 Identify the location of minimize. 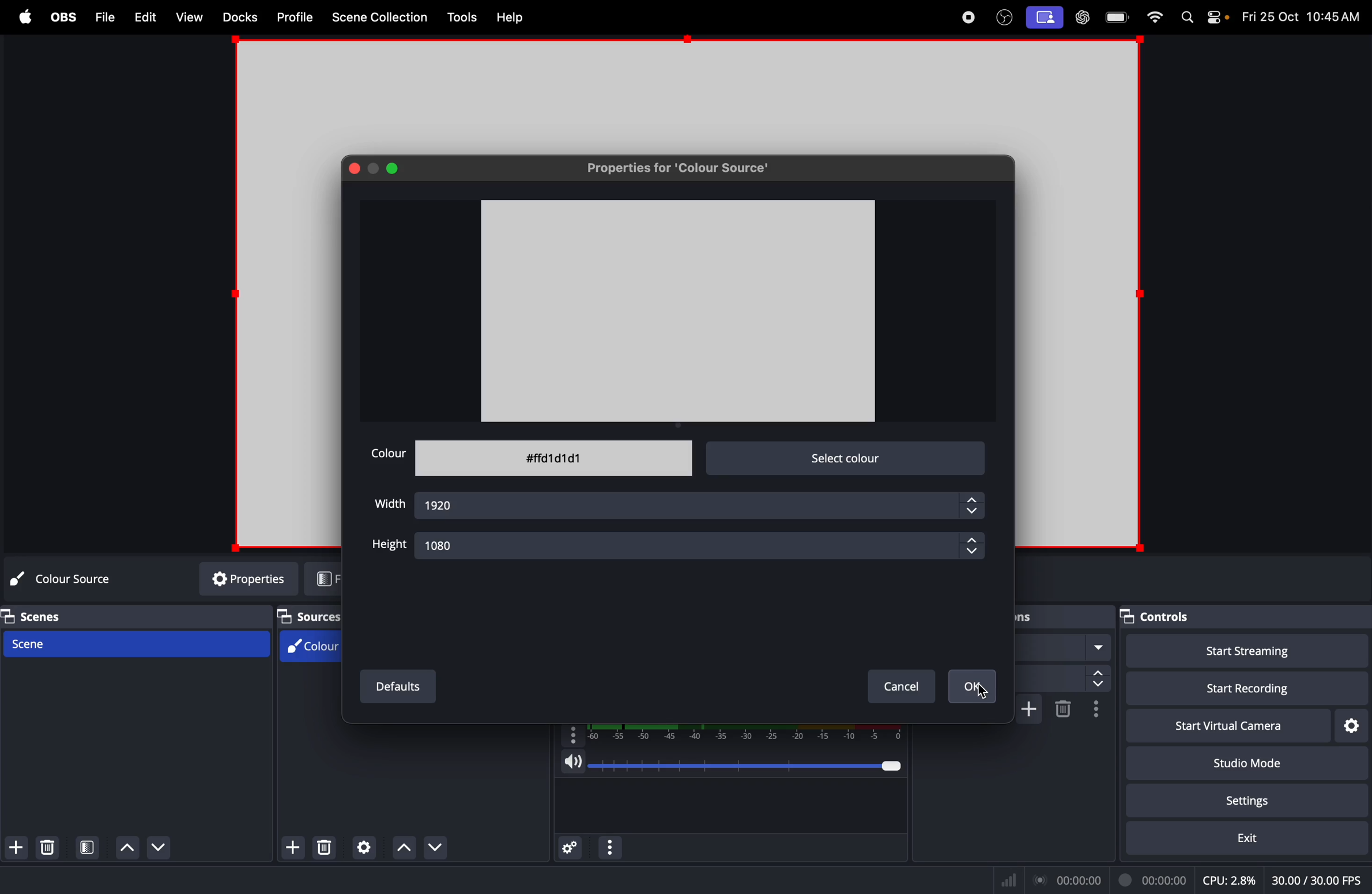
(374, 168).